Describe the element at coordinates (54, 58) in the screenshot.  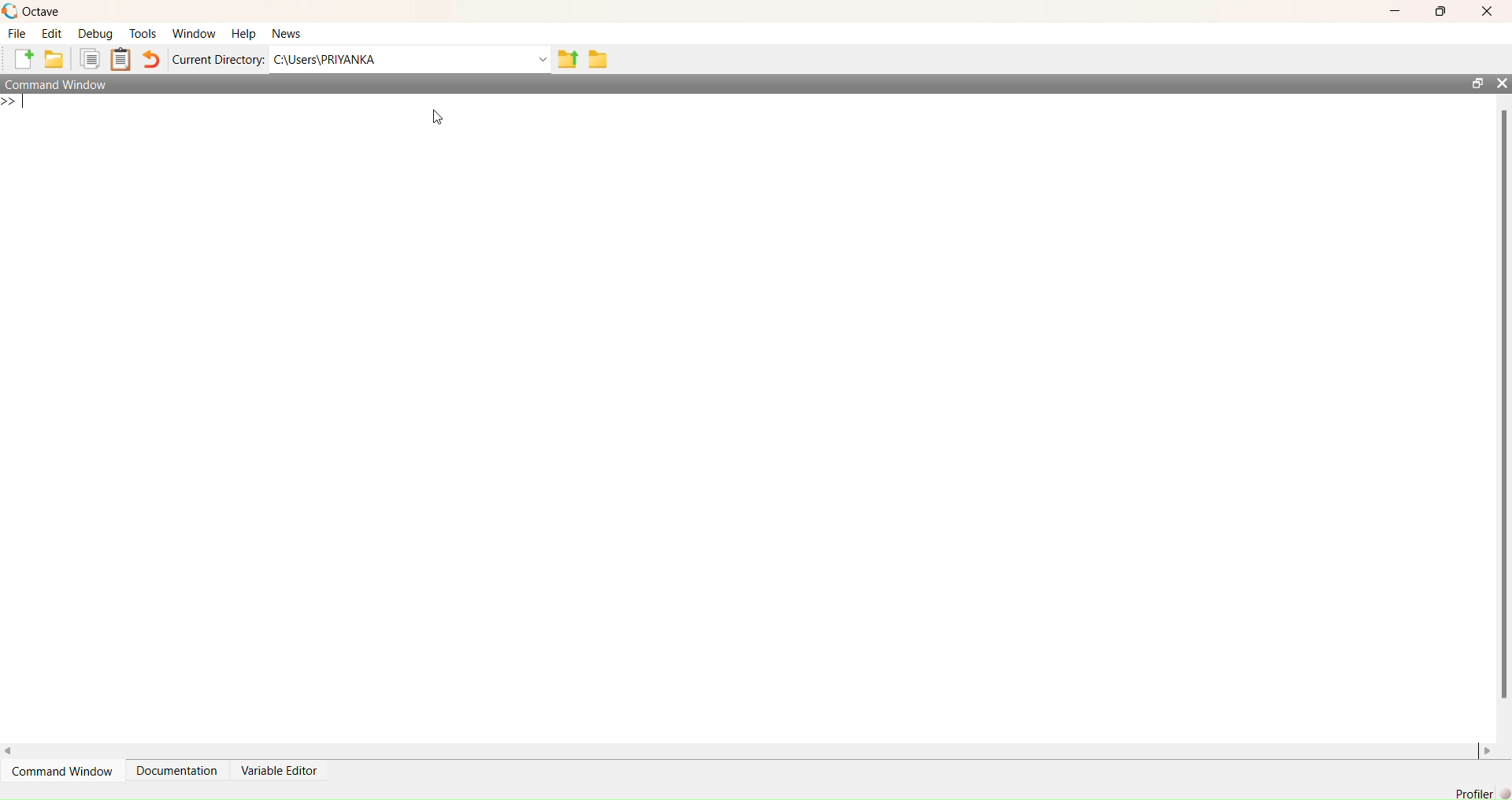
I see `add folder` at that location.